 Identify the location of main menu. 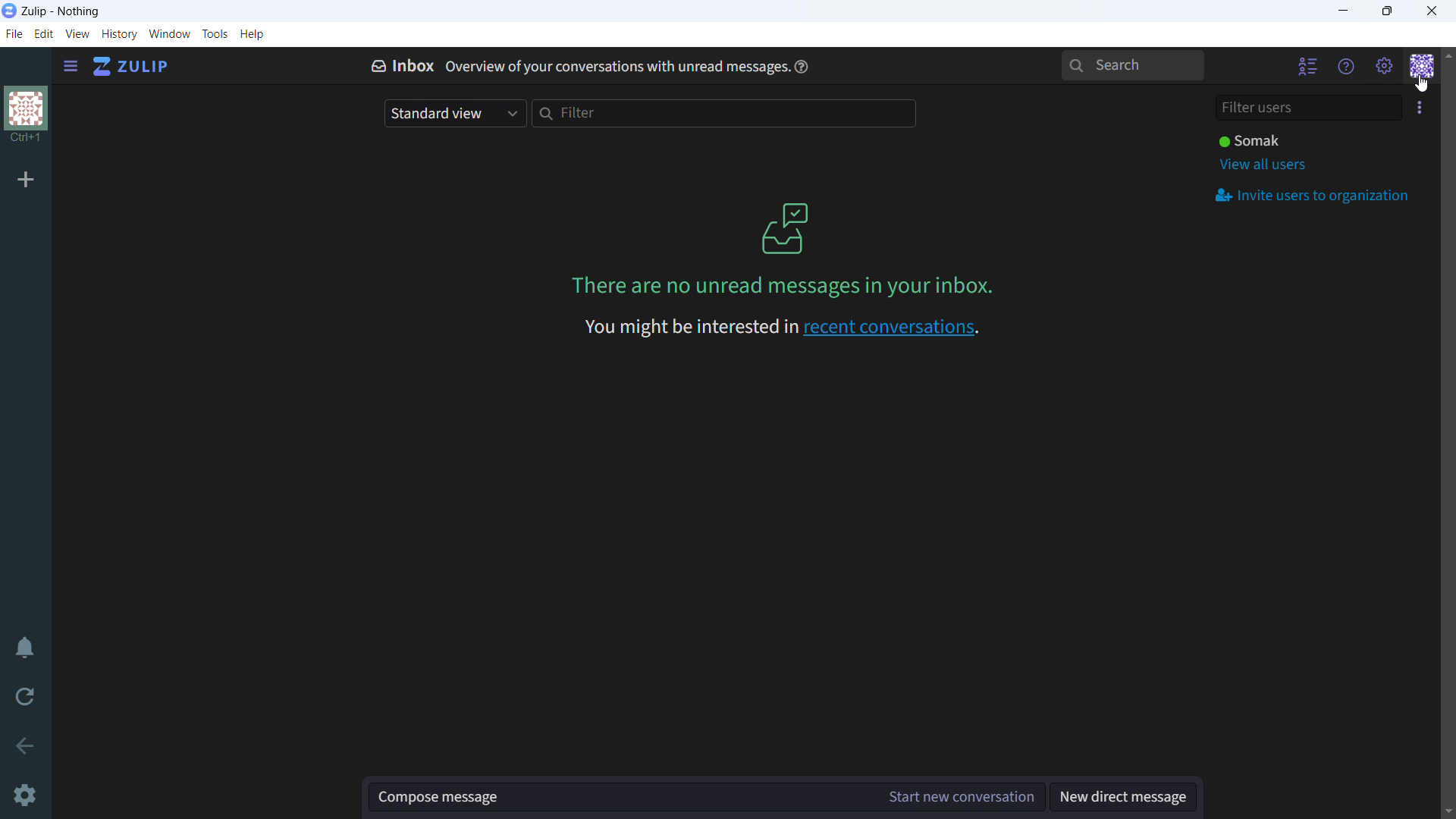
(1383, 67).